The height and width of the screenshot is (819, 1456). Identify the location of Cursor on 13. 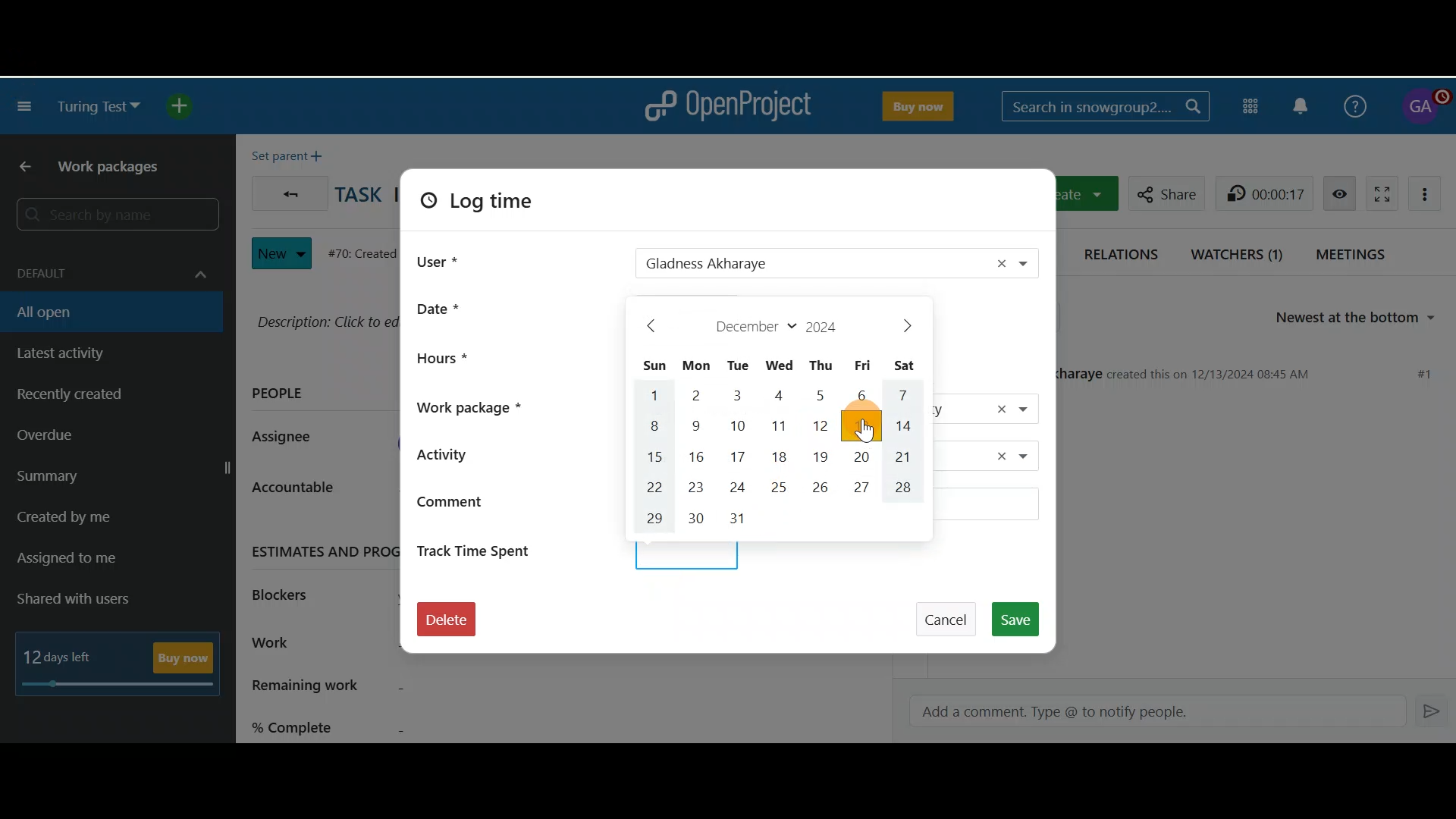
(864, 426).